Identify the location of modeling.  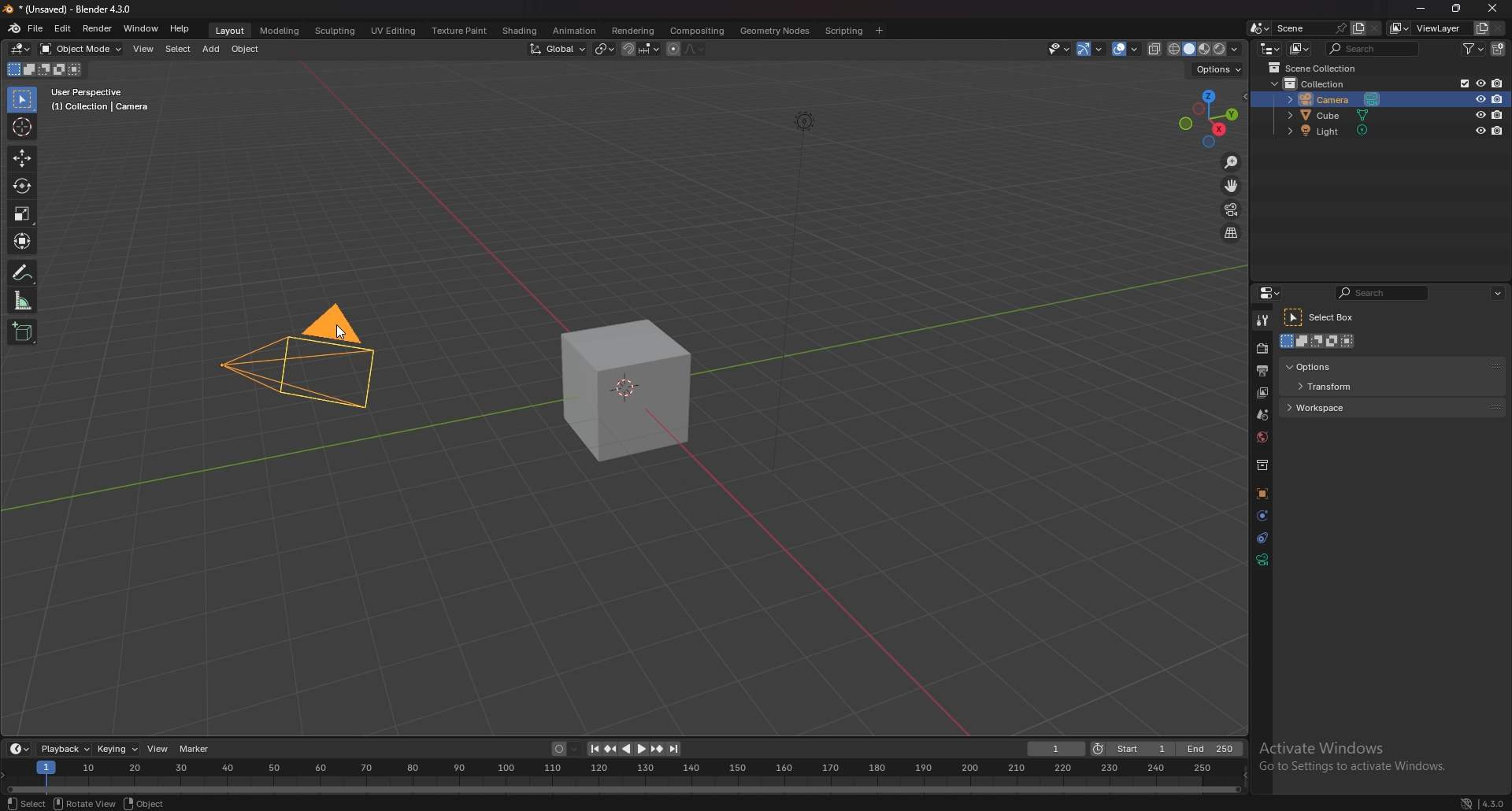
(280, 31).